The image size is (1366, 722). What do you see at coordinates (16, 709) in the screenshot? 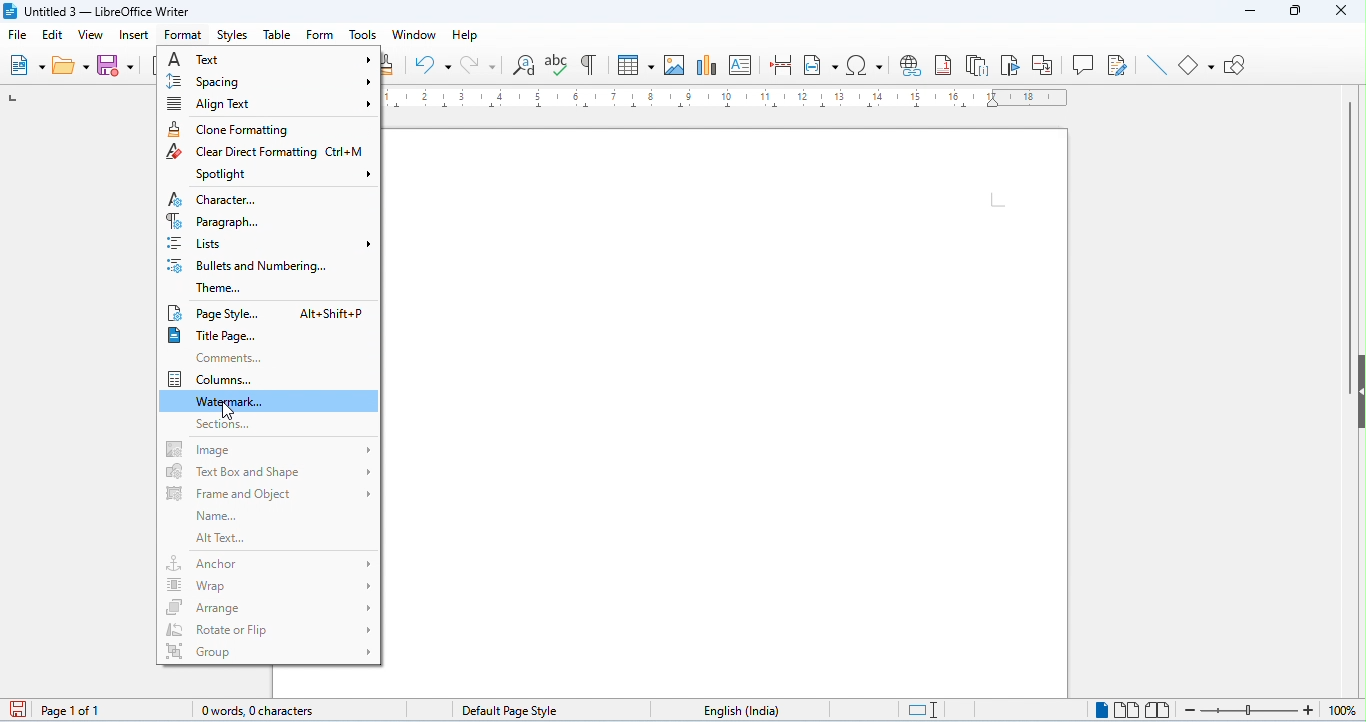
I see `save` at bounding box center [16, 709].